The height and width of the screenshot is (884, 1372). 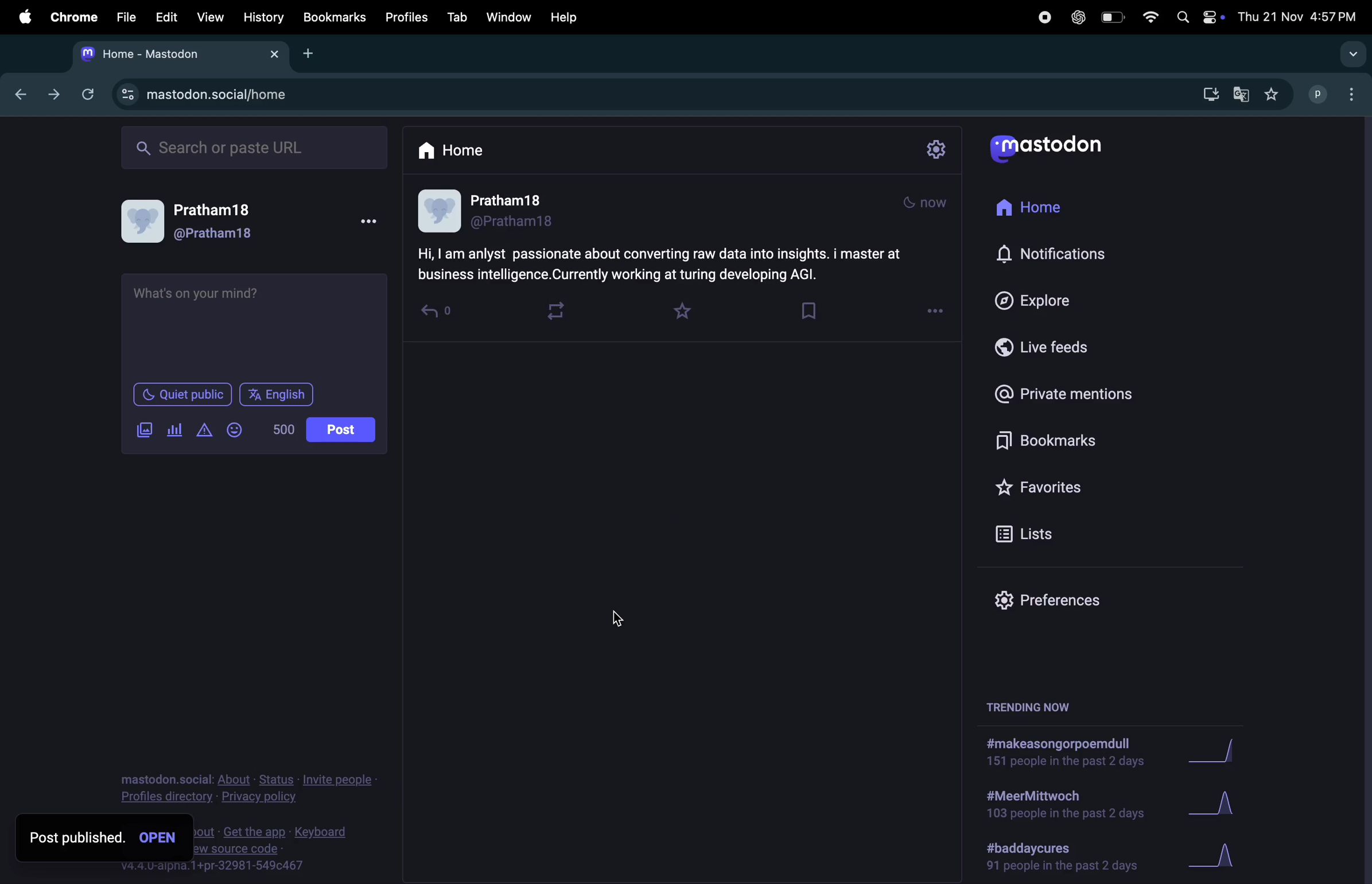 What do you see at coordinates (263, 17) in the screenshot?
I see `history` at bounding box center [263, 17].